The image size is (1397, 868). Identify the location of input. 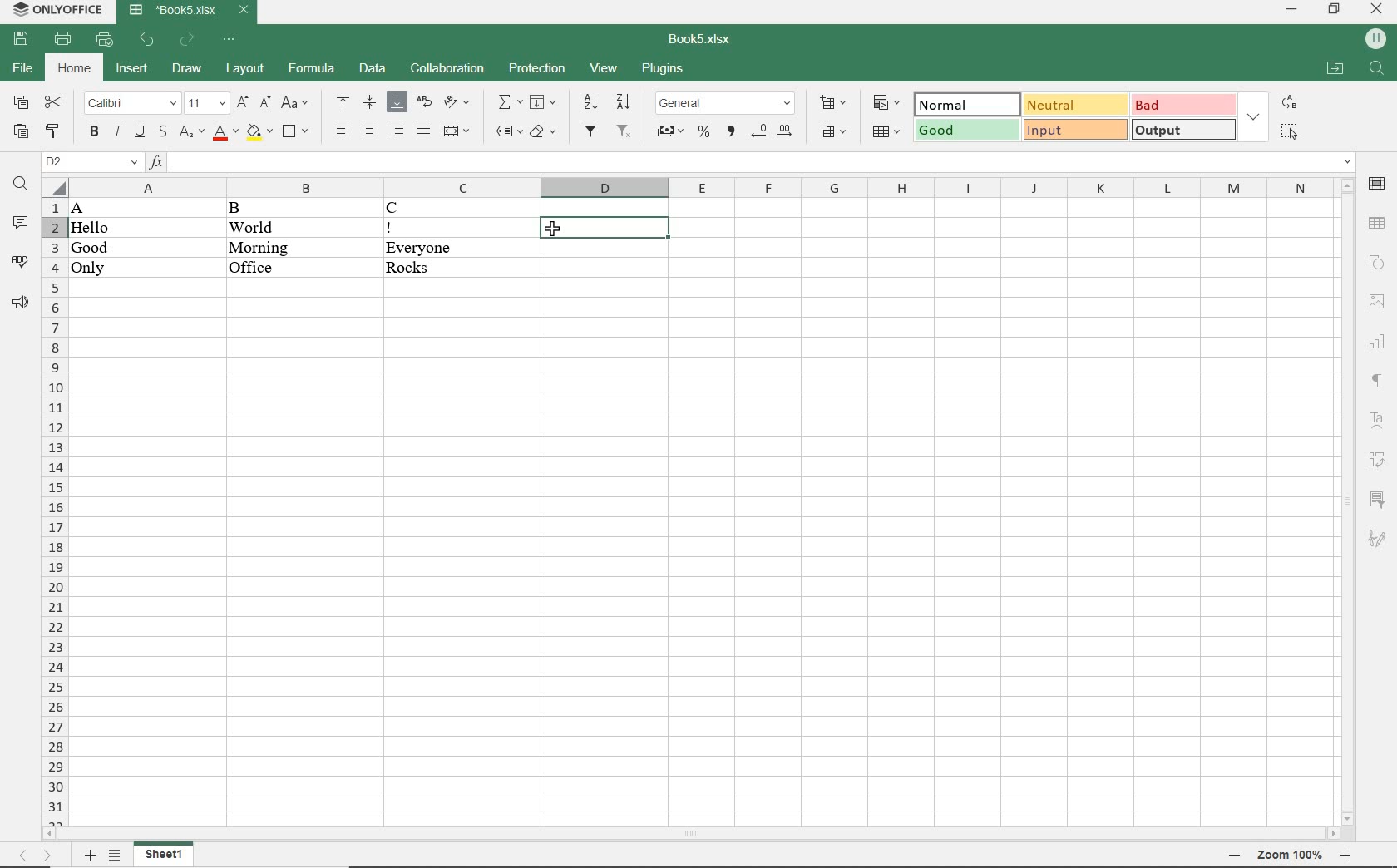
(1075, 130).